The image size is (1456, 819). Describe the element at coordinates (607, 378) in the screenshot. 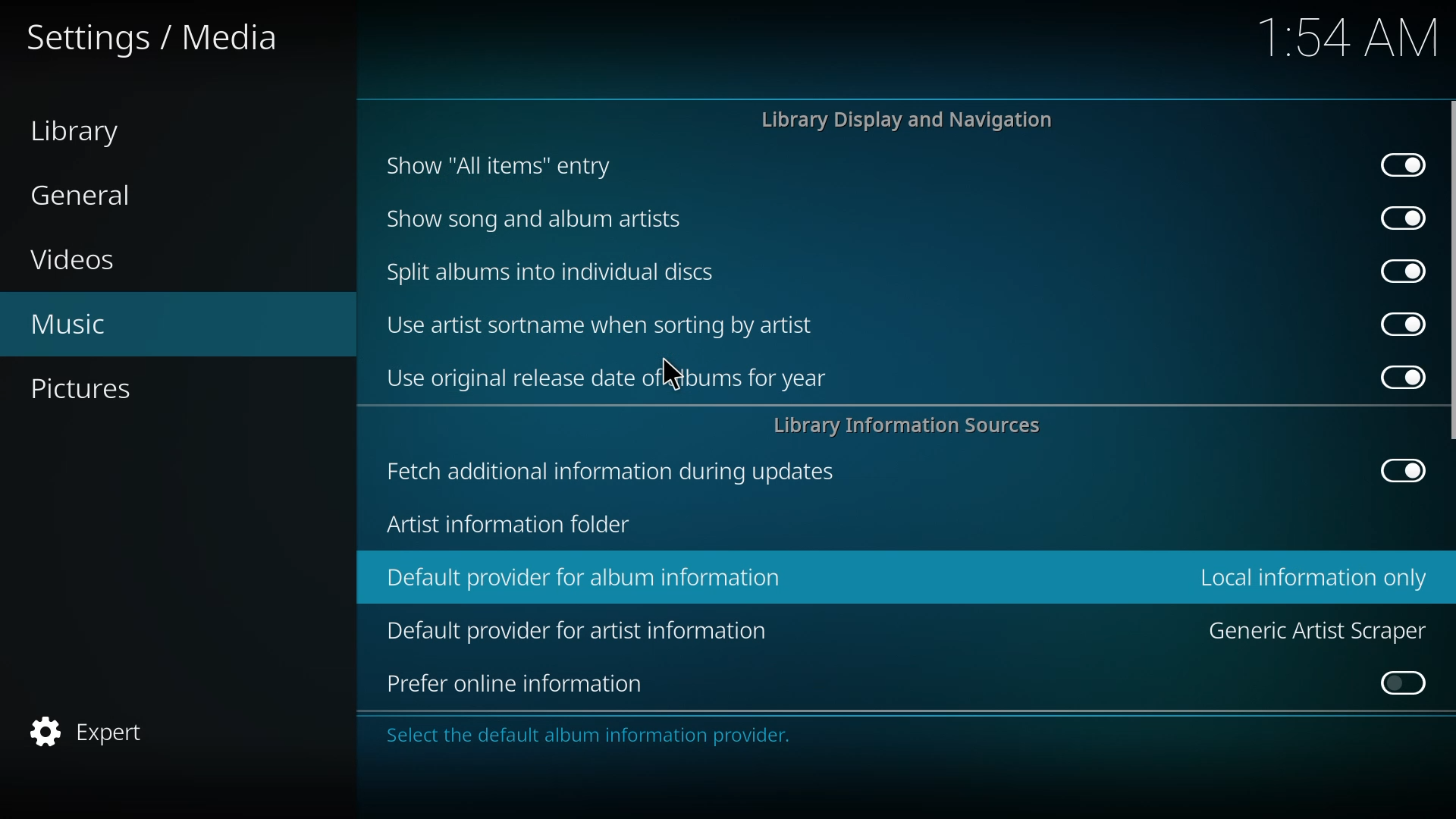

I see `use original release date of albums` at that location.